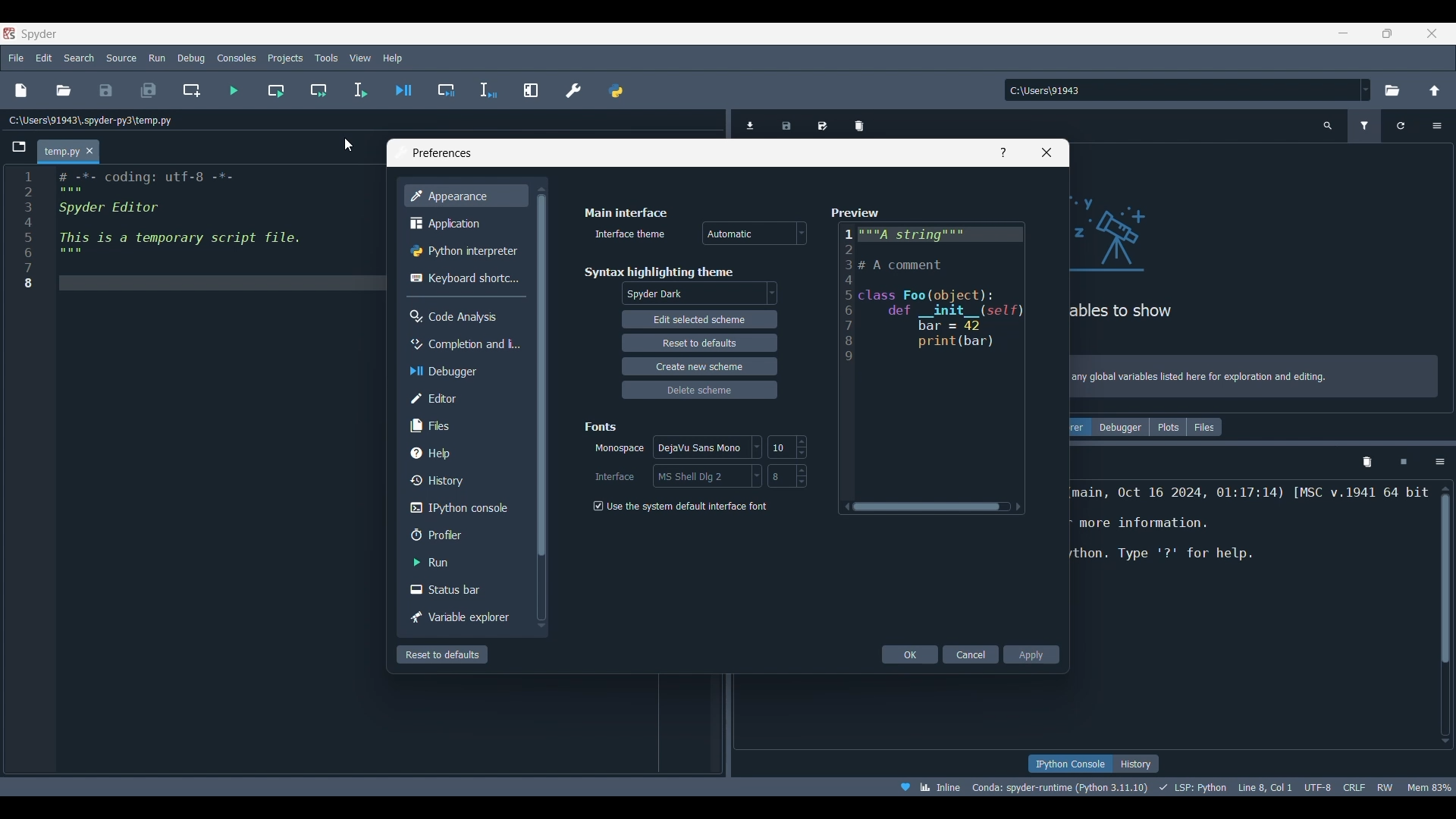  What do you see at coordinates (1366, 89) in the screenshot?
I see `Location options ` at bounding box center [1366, 89].